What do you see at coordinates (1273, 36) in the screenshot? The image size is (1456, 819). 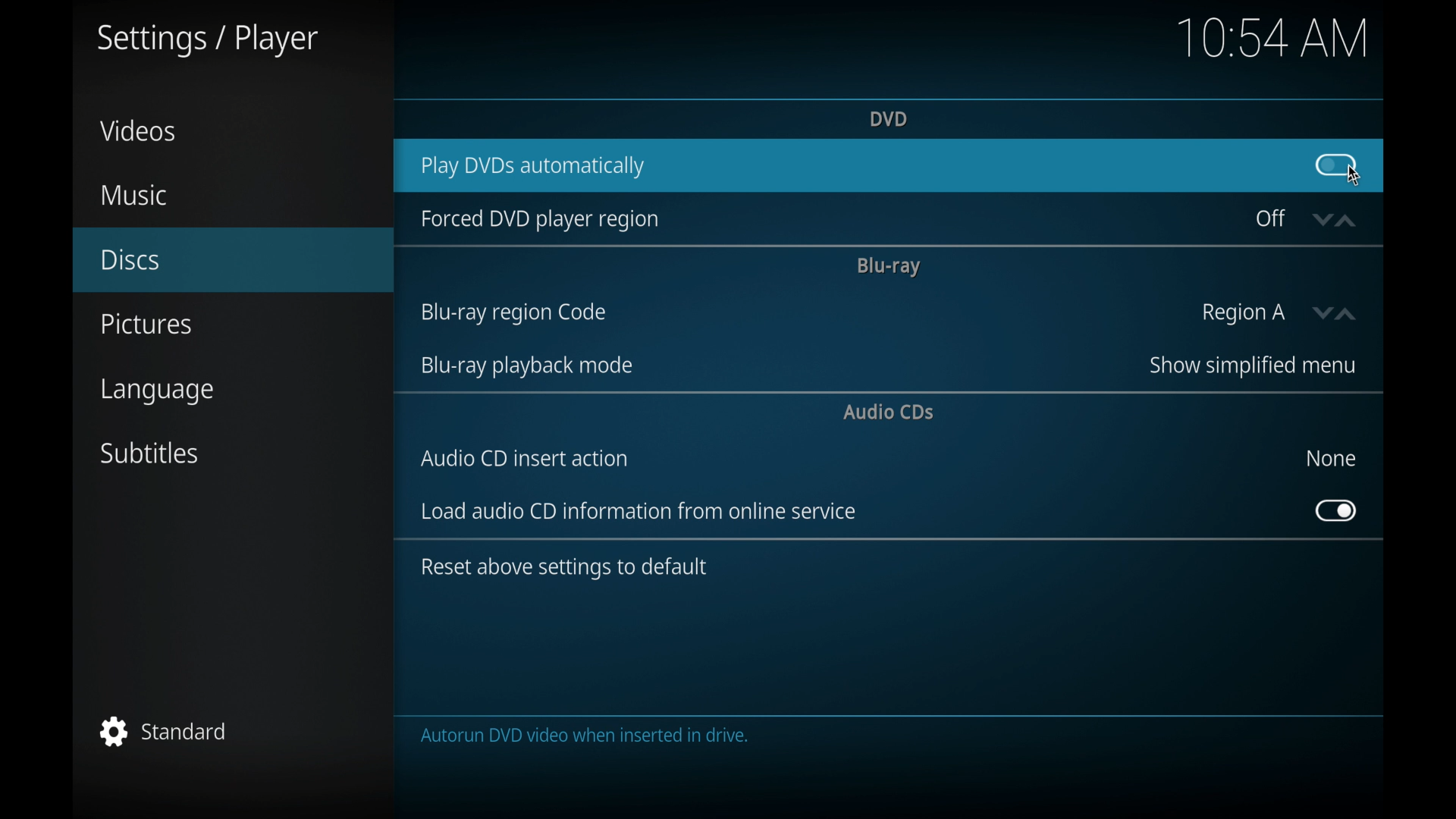 I see `10.54 am` at bounding box center [1273, 36].